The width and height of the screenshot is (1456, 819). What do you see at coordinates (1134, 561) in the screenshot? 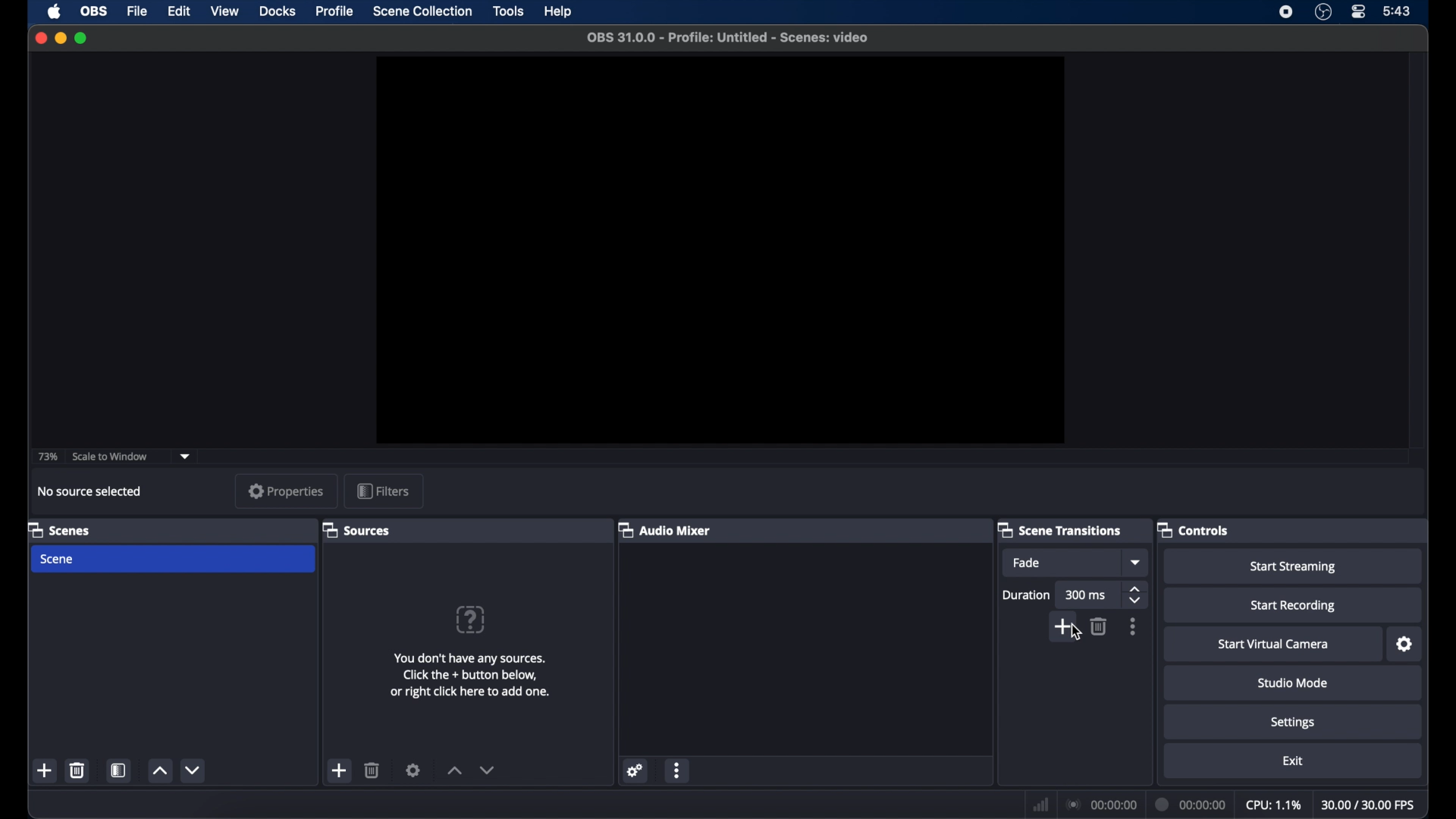
I see `dropdown` at bounding box center [1134, 561].